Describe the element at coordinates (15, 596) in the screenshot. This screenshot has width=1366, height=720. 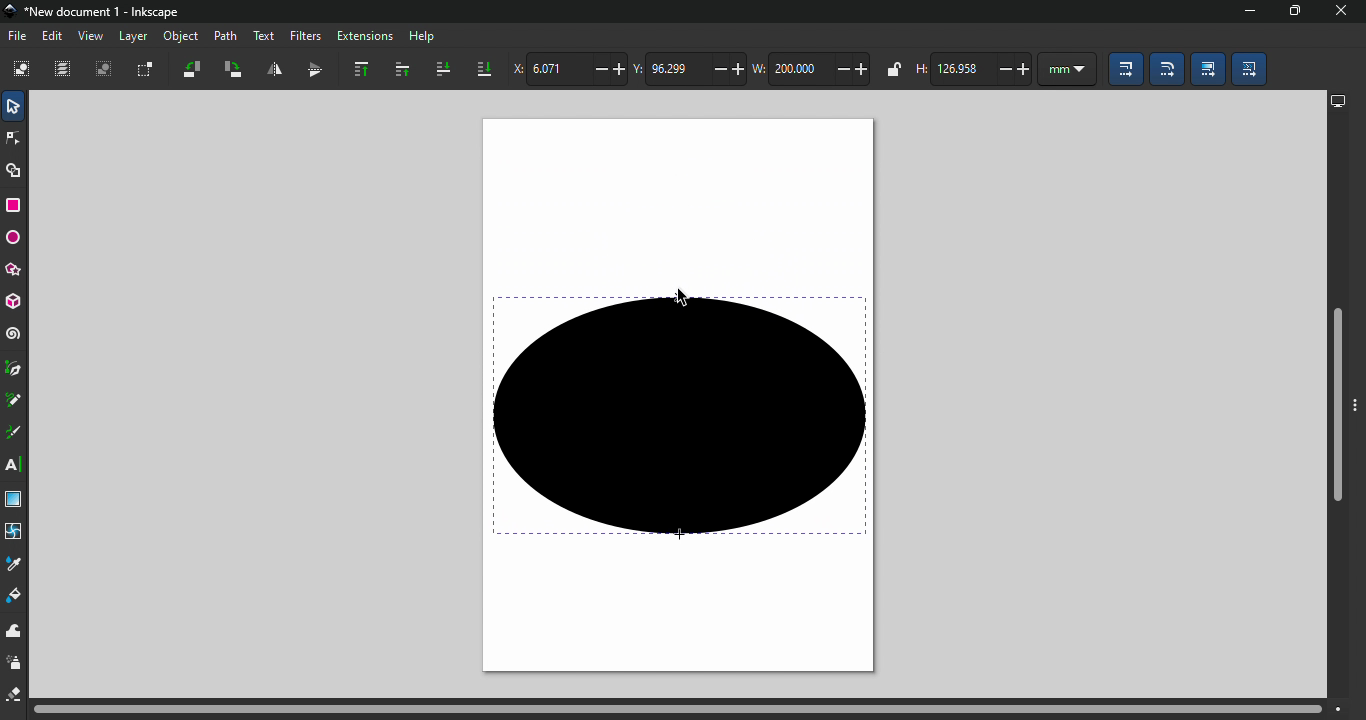
I see `Paint bucket` at that location.